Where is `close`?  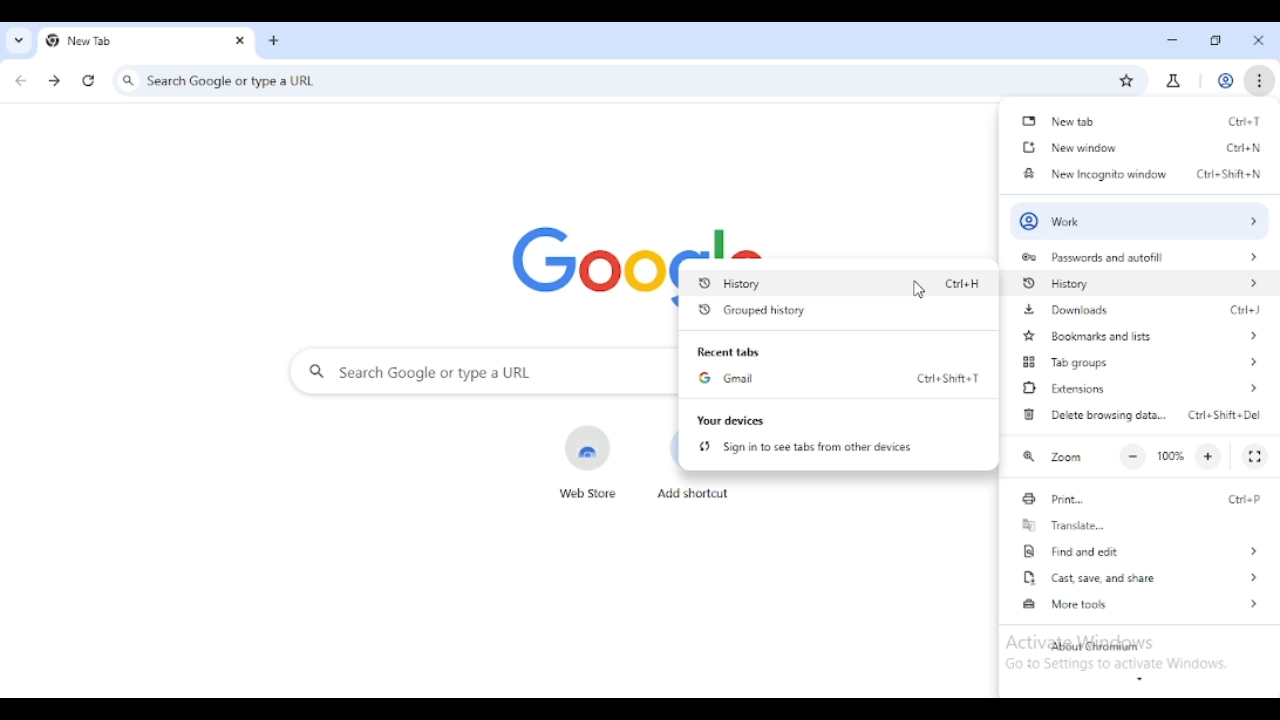 close is located at coordinates (1259, 40).